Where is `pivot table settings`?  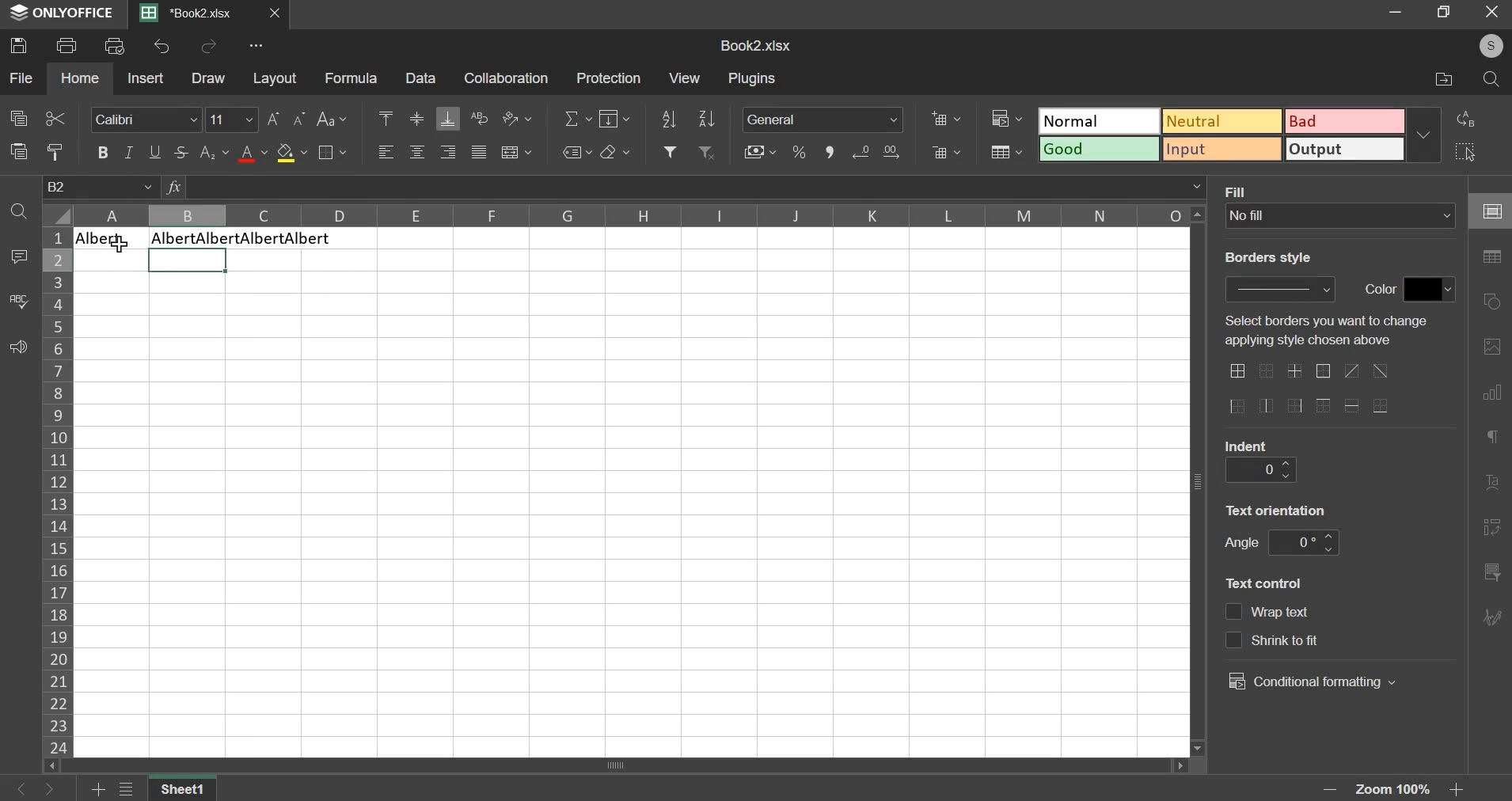 pivot table settings is located at coordinates (1492, 529).